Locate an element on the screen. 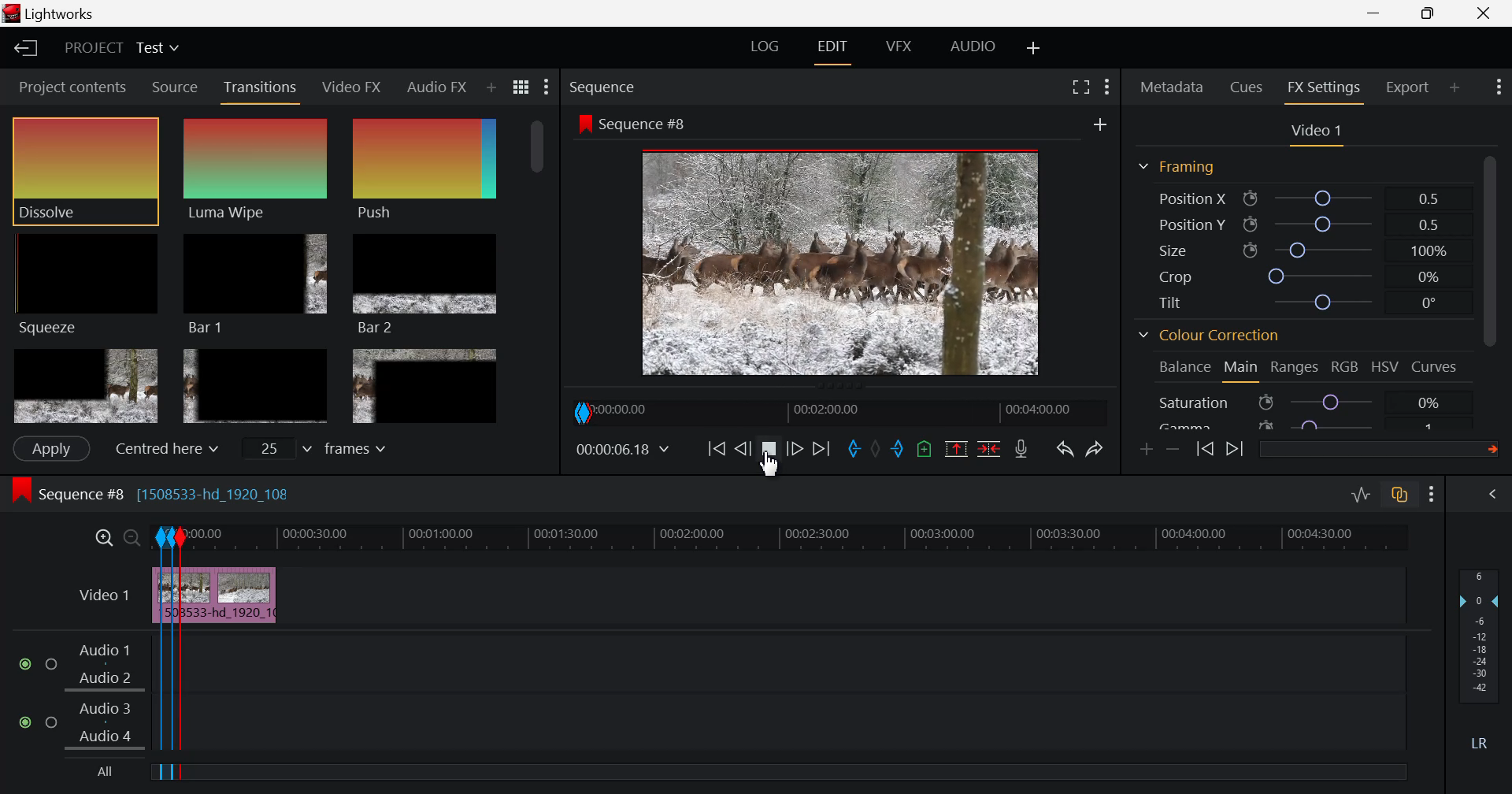 Image resolution: width=1512 pixels, height=794 pixels. Position X is located at coordinates (1303, 198).